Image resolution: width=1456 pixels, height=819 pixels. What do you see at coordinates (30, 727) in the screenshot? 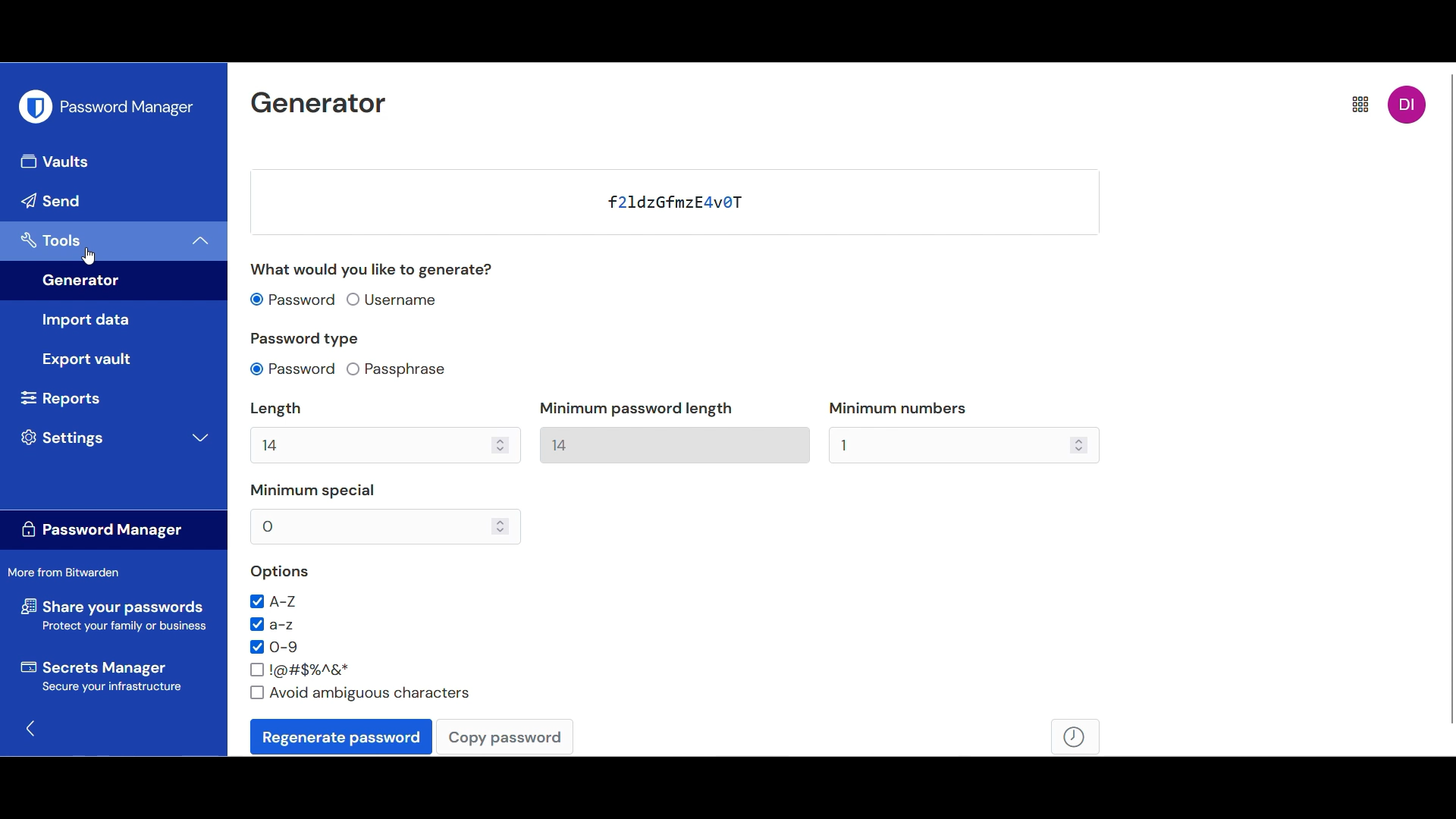
I see `Go back` at bounding box center [30, 727].